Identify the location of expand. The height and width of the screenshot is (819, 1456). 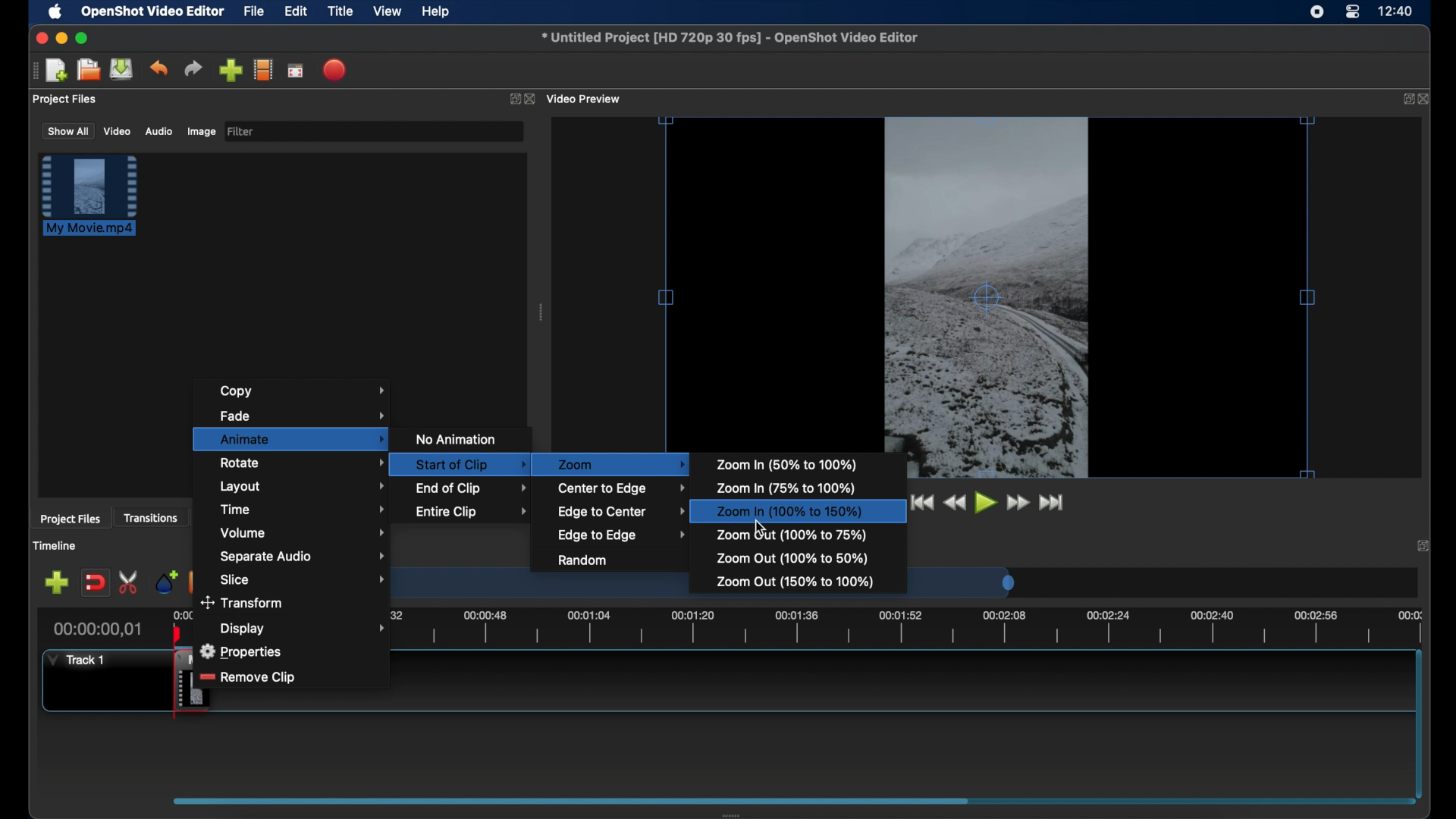
(511, 101).